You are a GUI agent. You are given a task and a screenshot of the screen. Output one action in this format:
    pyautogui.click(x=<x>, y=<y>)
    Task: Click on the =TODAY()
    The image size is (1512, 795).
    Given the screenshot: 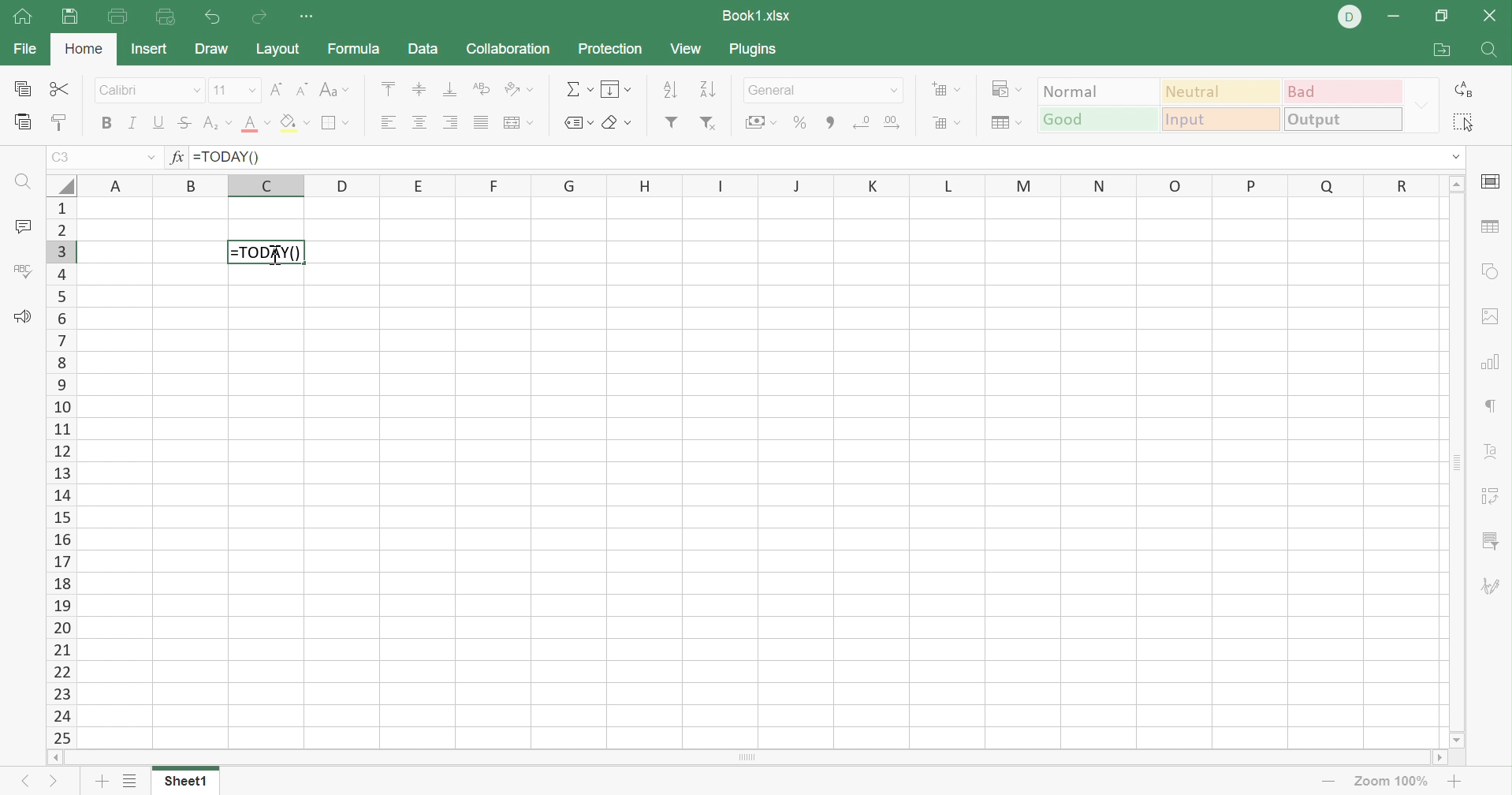 What is the action you would take?
    pyautogui.click(x=268, y=252)
    